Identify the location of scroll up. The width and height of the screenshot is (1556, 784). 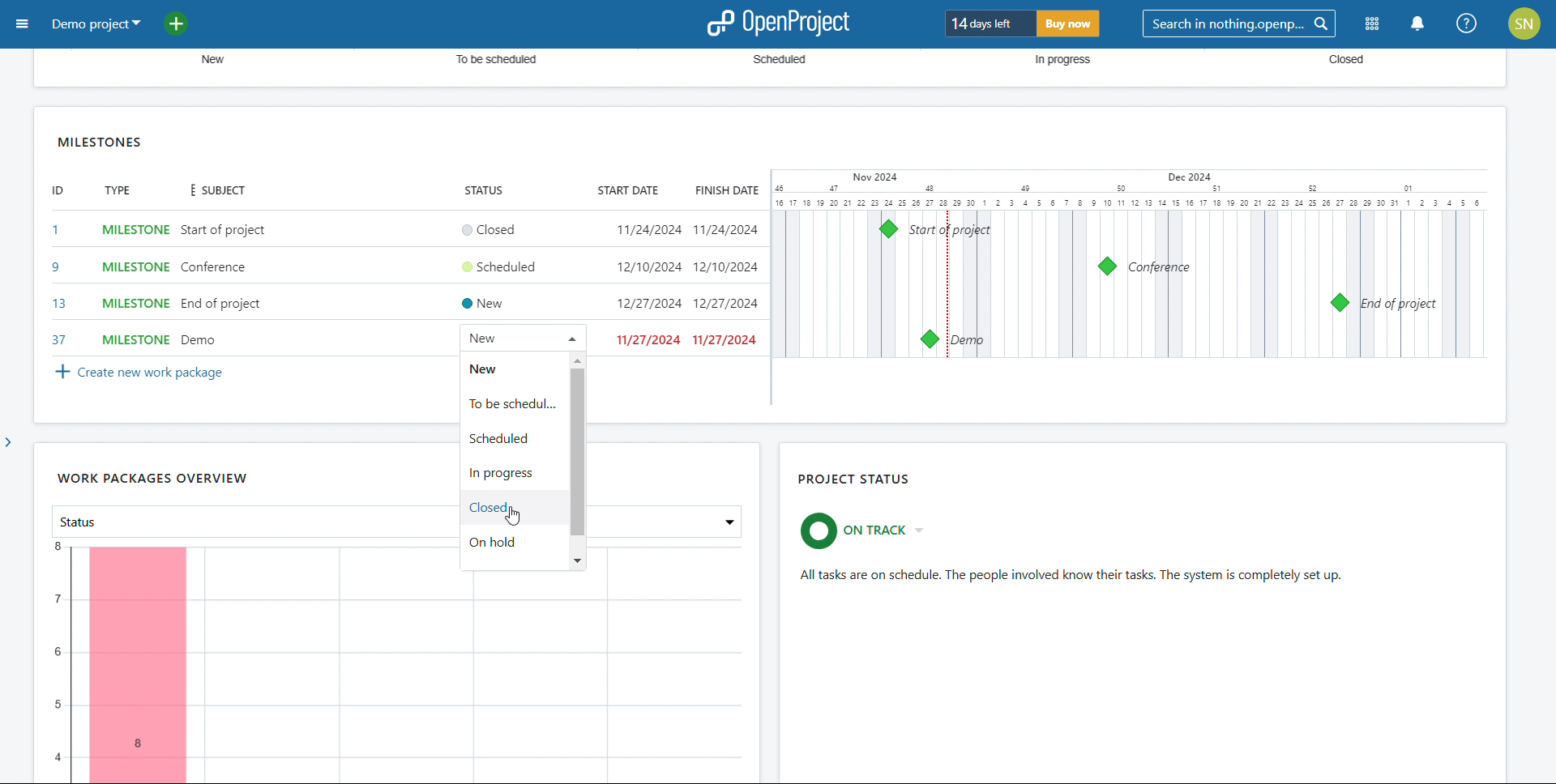
(1546, 55).